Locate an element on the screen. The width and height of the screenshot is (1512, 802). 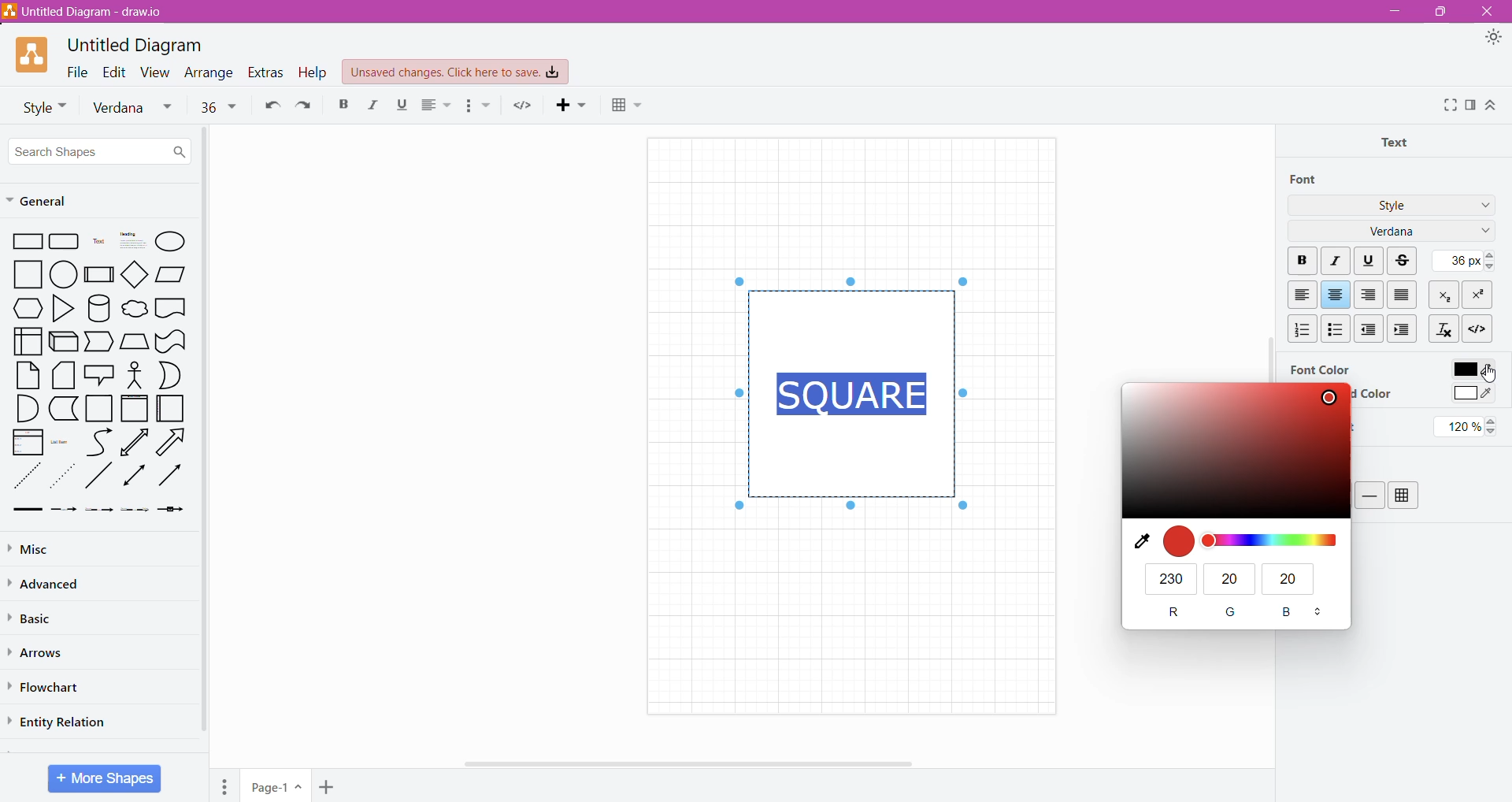
Arrow with a Box is located at coordinates (170, 509).